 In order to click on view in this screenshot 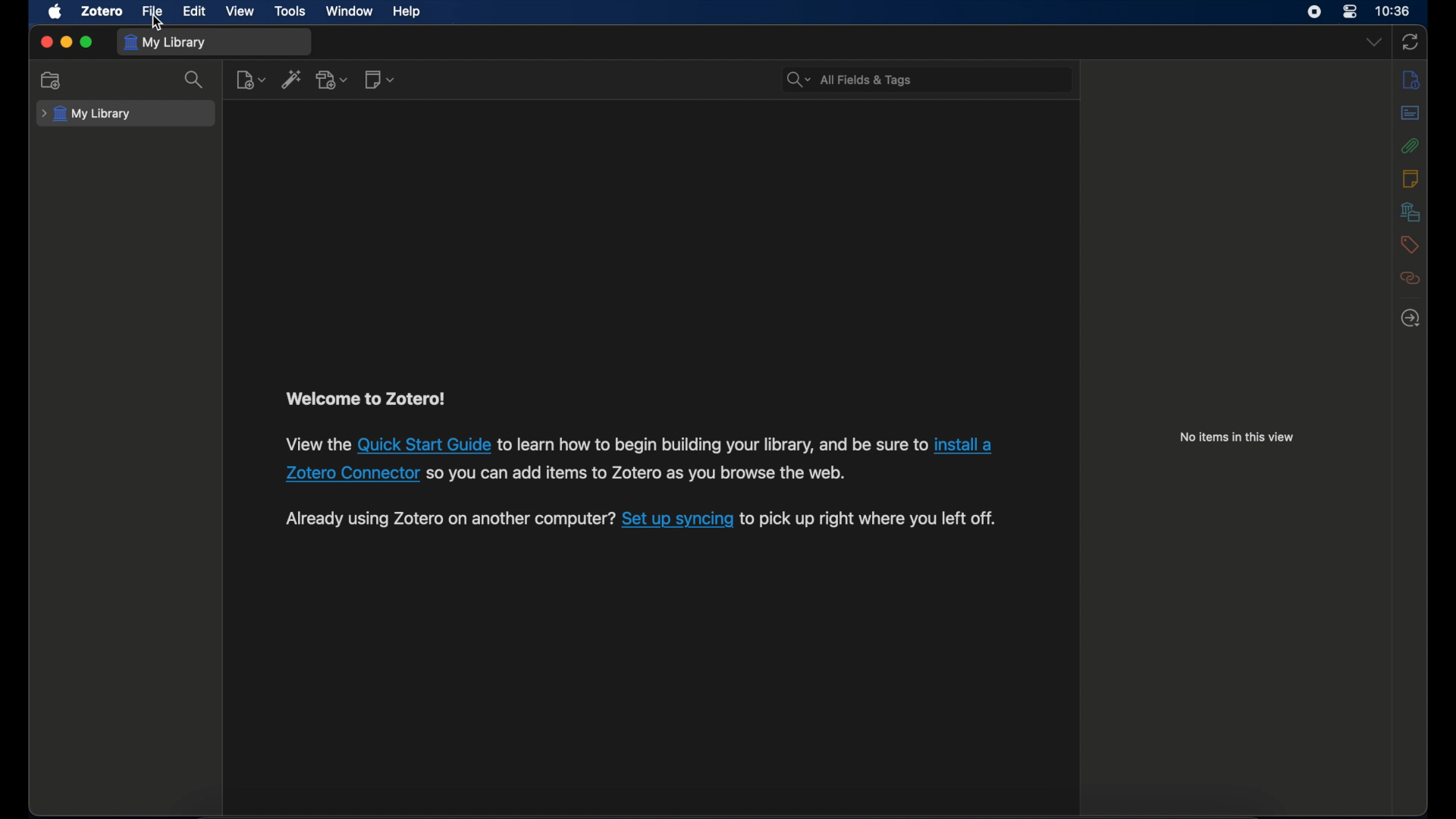, I will do `click(241, 11)`.